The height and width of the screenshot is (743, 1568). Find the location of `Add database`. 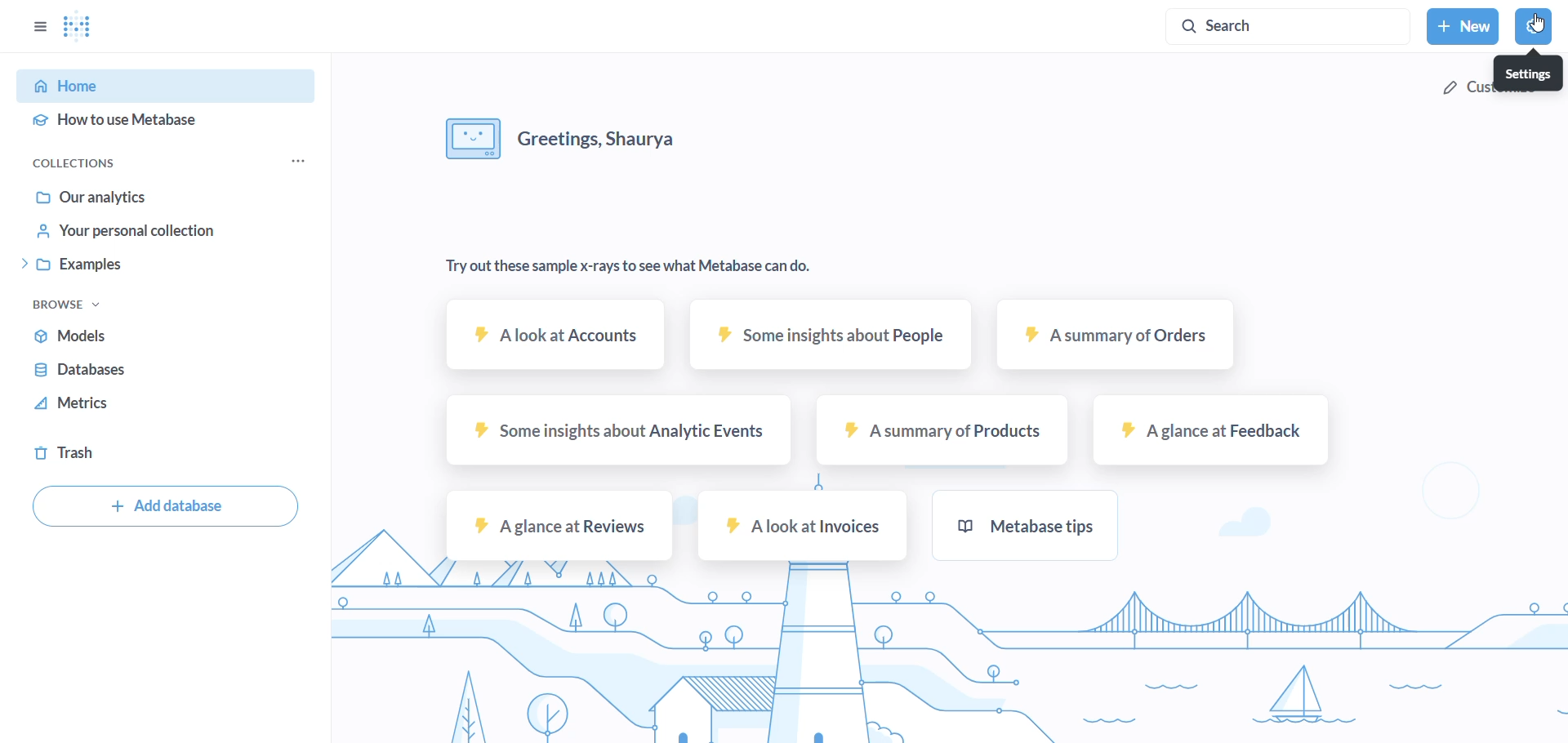

Add database is located at coordinates (165, 508).